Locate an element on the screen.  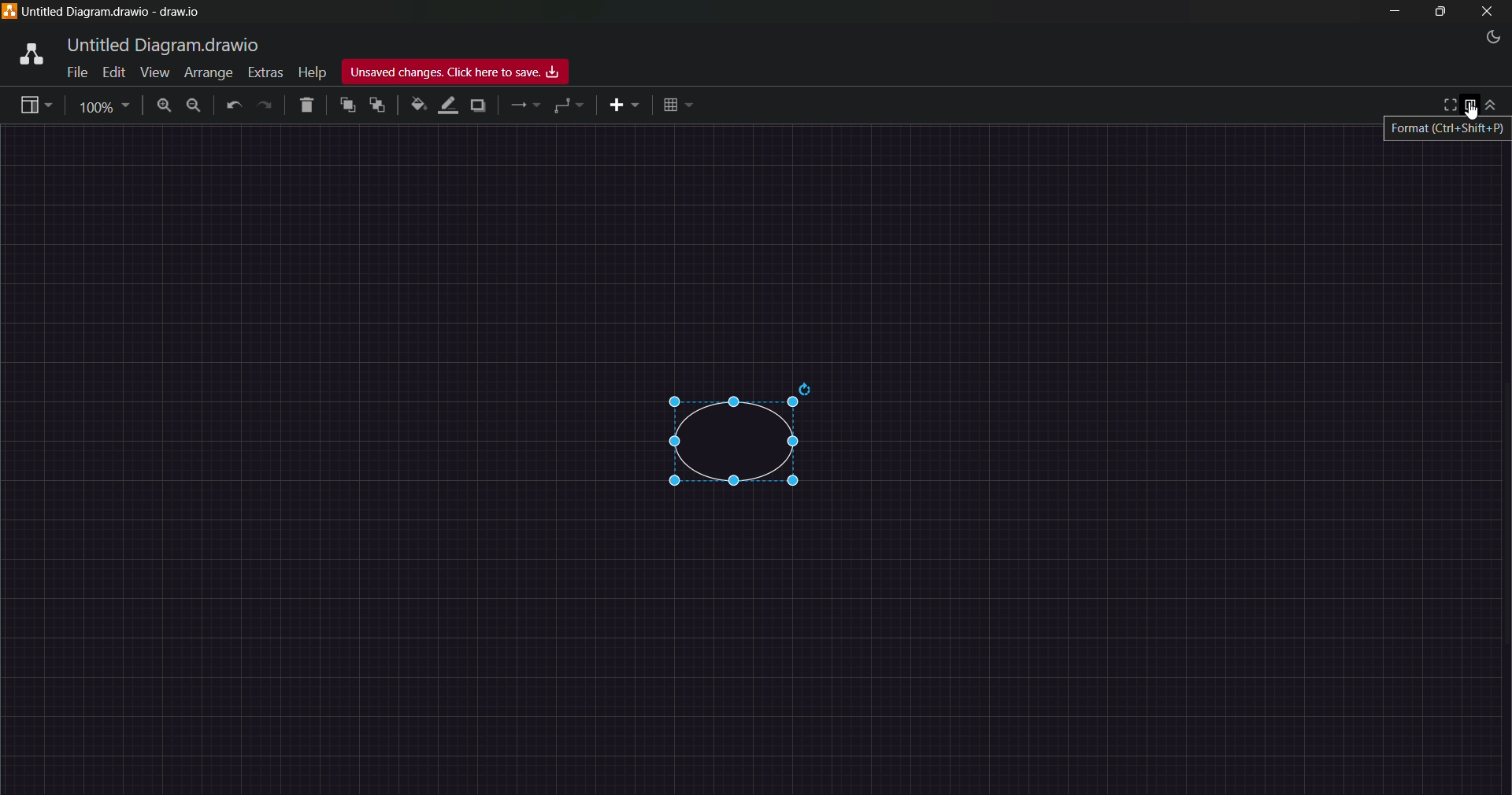
table is located at coordinates (675, 105).